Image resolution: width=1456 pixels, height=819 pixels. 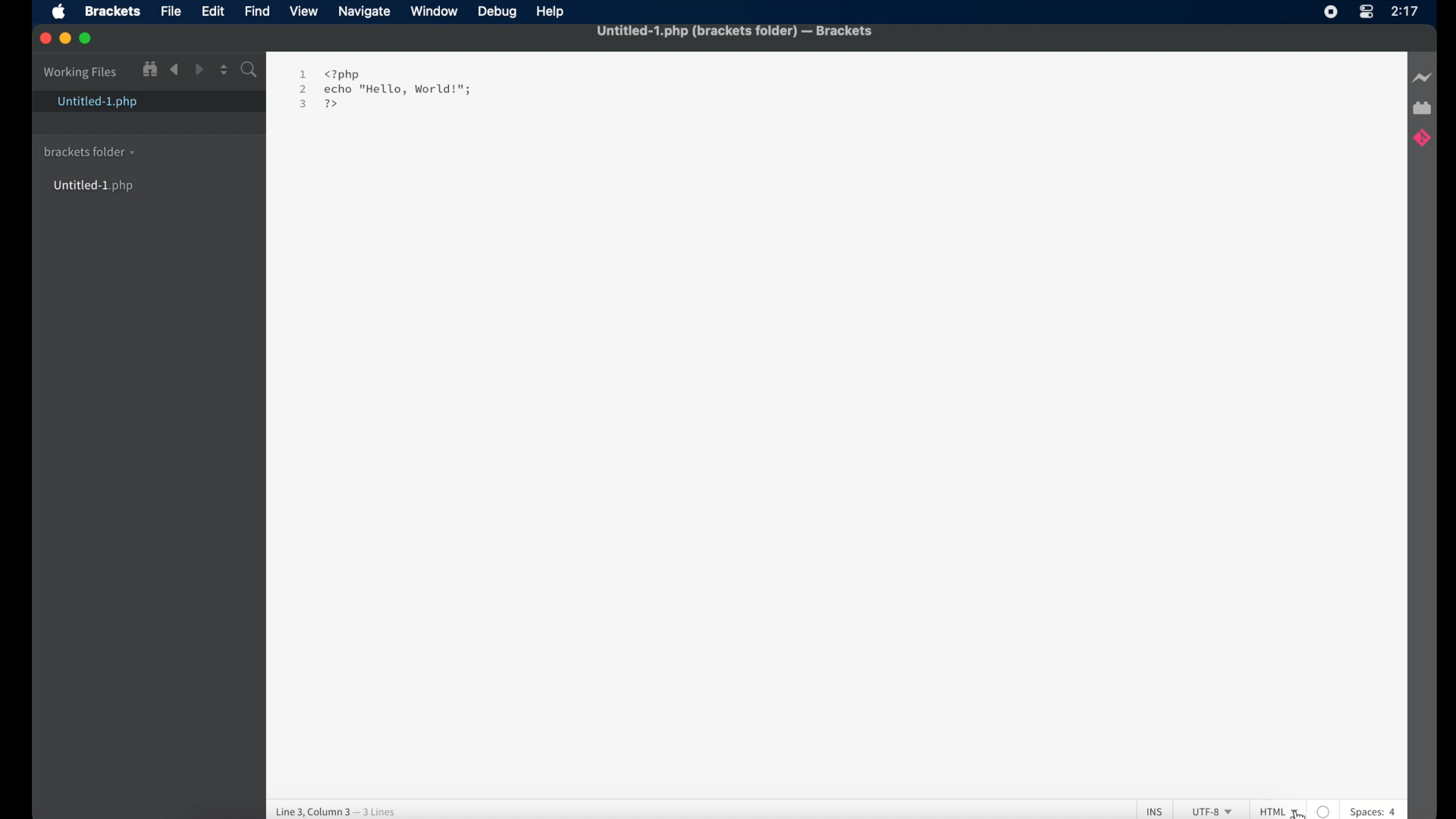 I want to click on edit, so click(x=213, y=12).